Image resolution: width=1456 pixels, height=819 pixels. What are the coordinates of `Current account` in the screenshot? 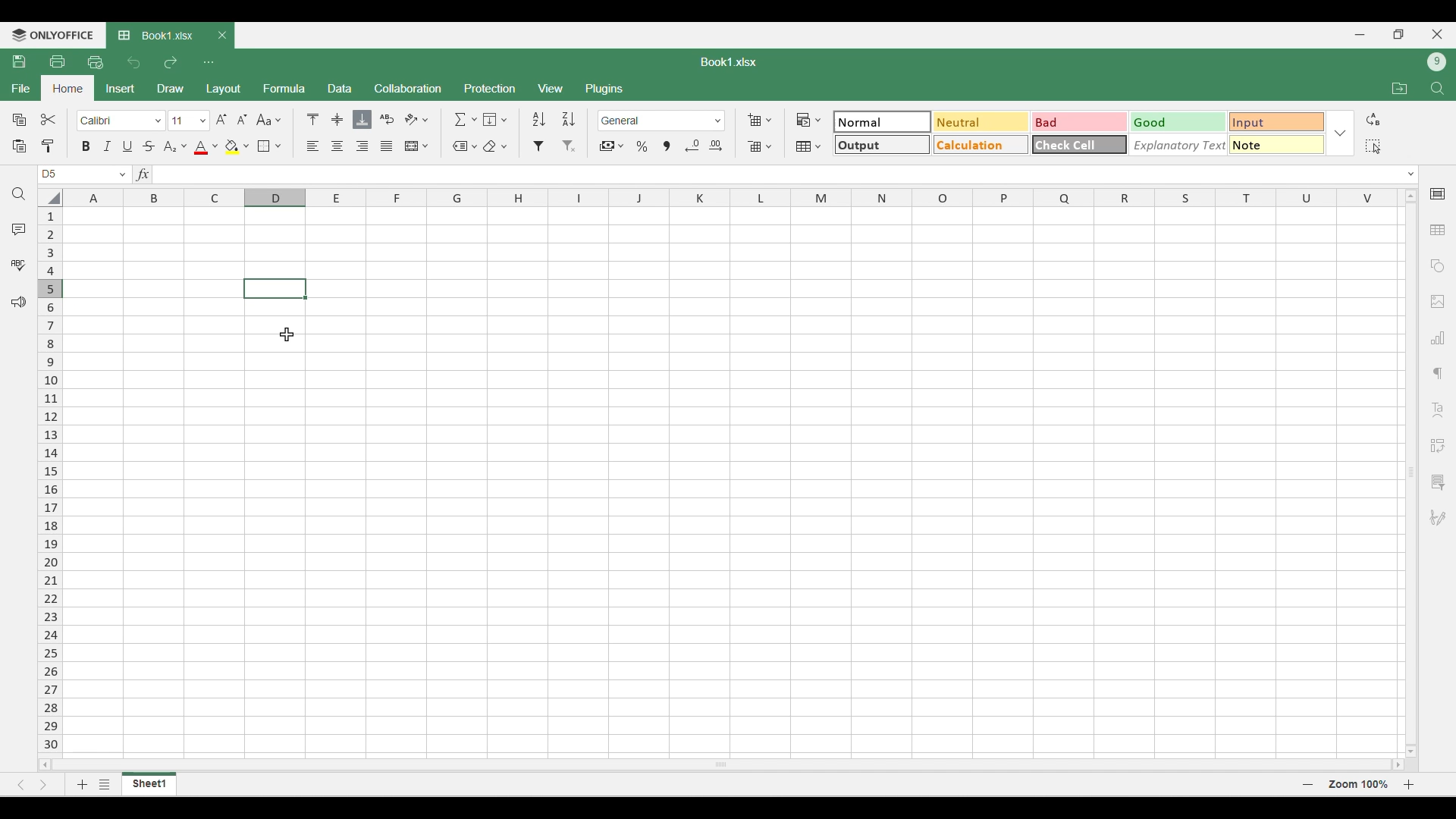 It's located at (1437, 62).